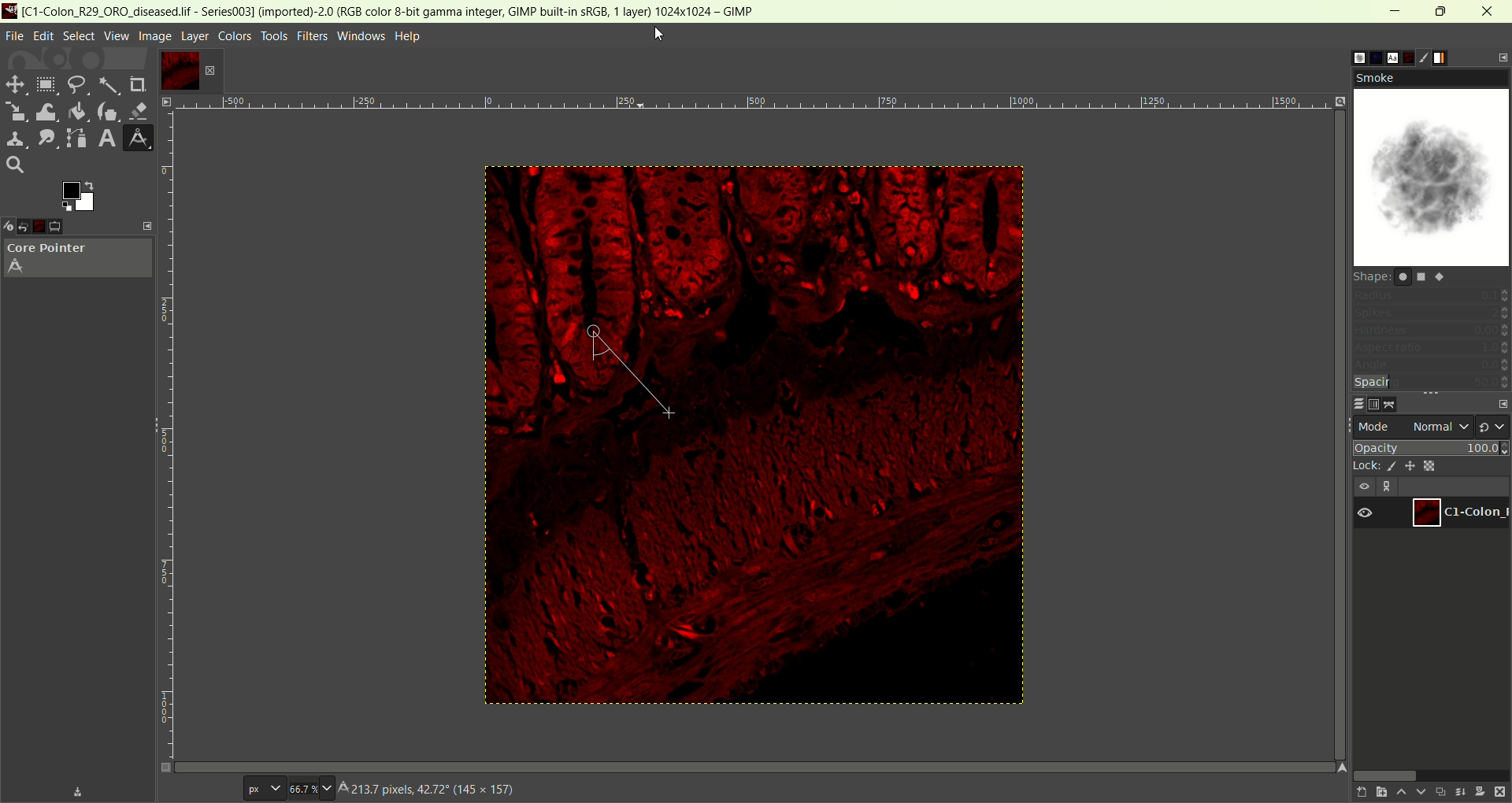 This screenshot has width=1512, height=803. Describe the element at coordinates (776, 107) in the screenshot. I see `zoom factor` at that location.